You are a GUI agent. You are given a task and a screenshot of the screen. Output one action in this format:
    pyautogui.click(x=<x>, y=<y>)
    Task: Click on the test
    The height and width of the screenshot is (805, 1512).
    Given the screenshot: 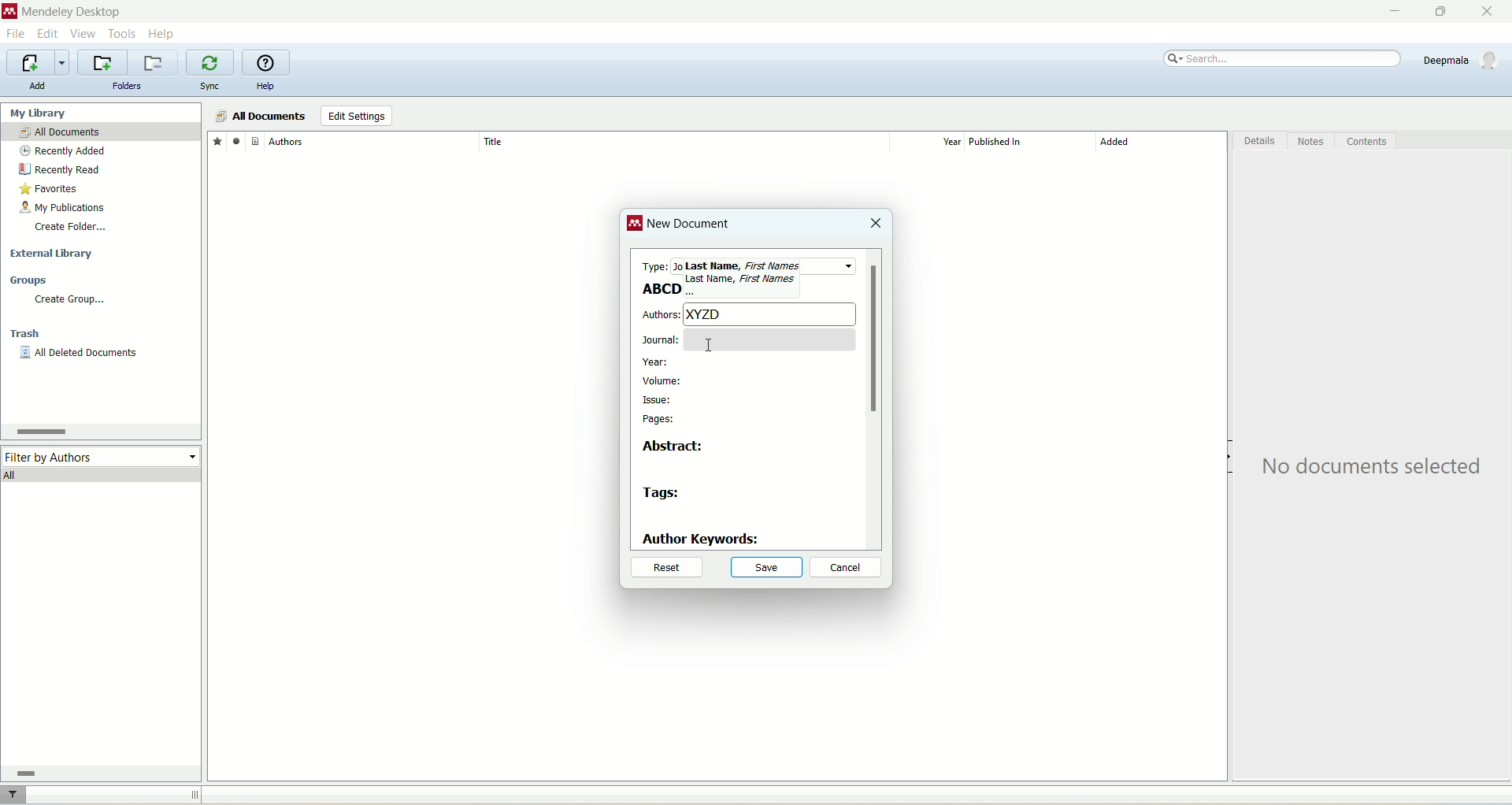 What is the action you would take?
    pyautogui.click(x=743, y=272)
    